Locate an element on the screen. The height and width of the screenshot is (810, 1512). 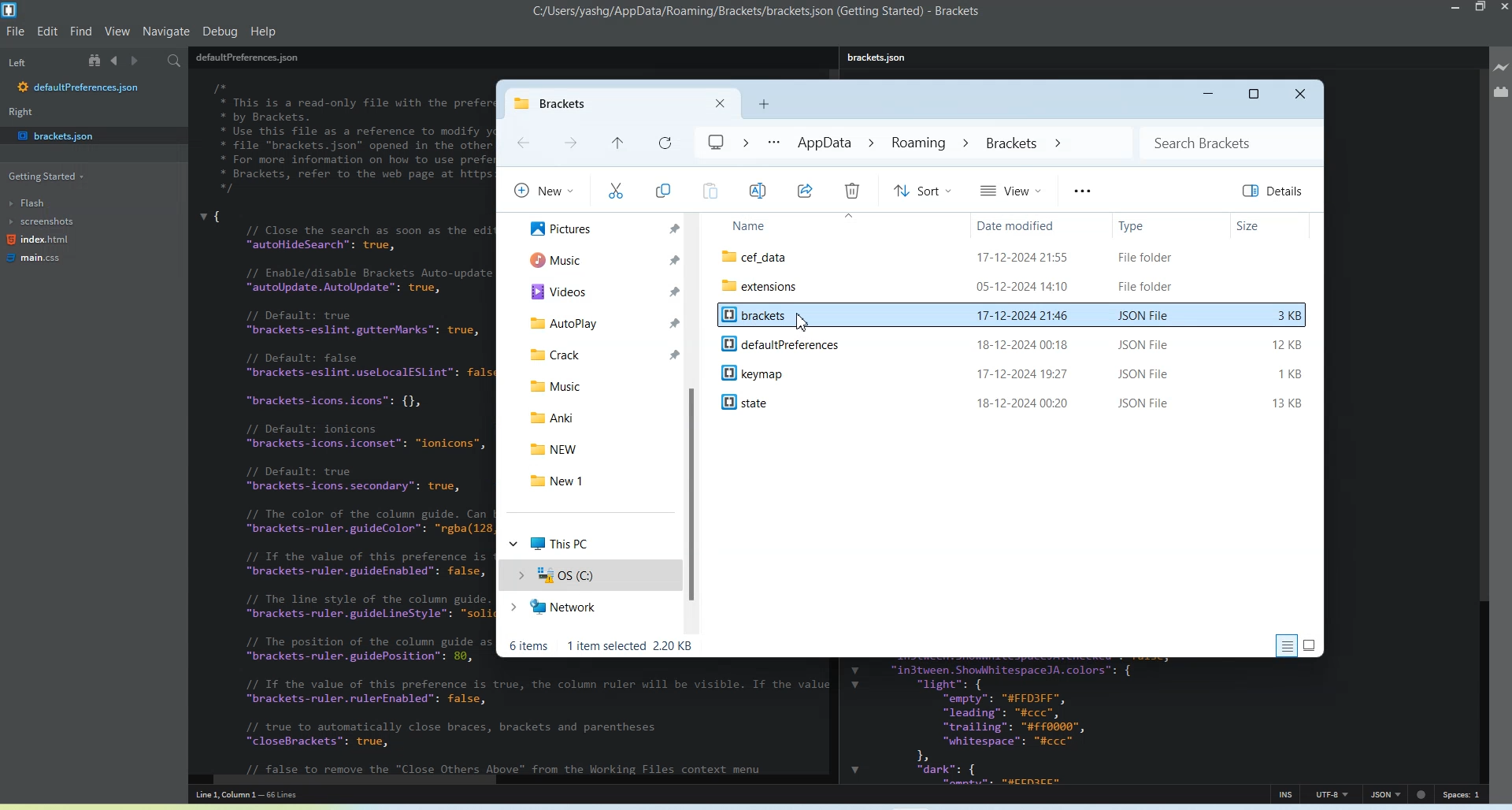
Network is located at coordinates (588, 609).